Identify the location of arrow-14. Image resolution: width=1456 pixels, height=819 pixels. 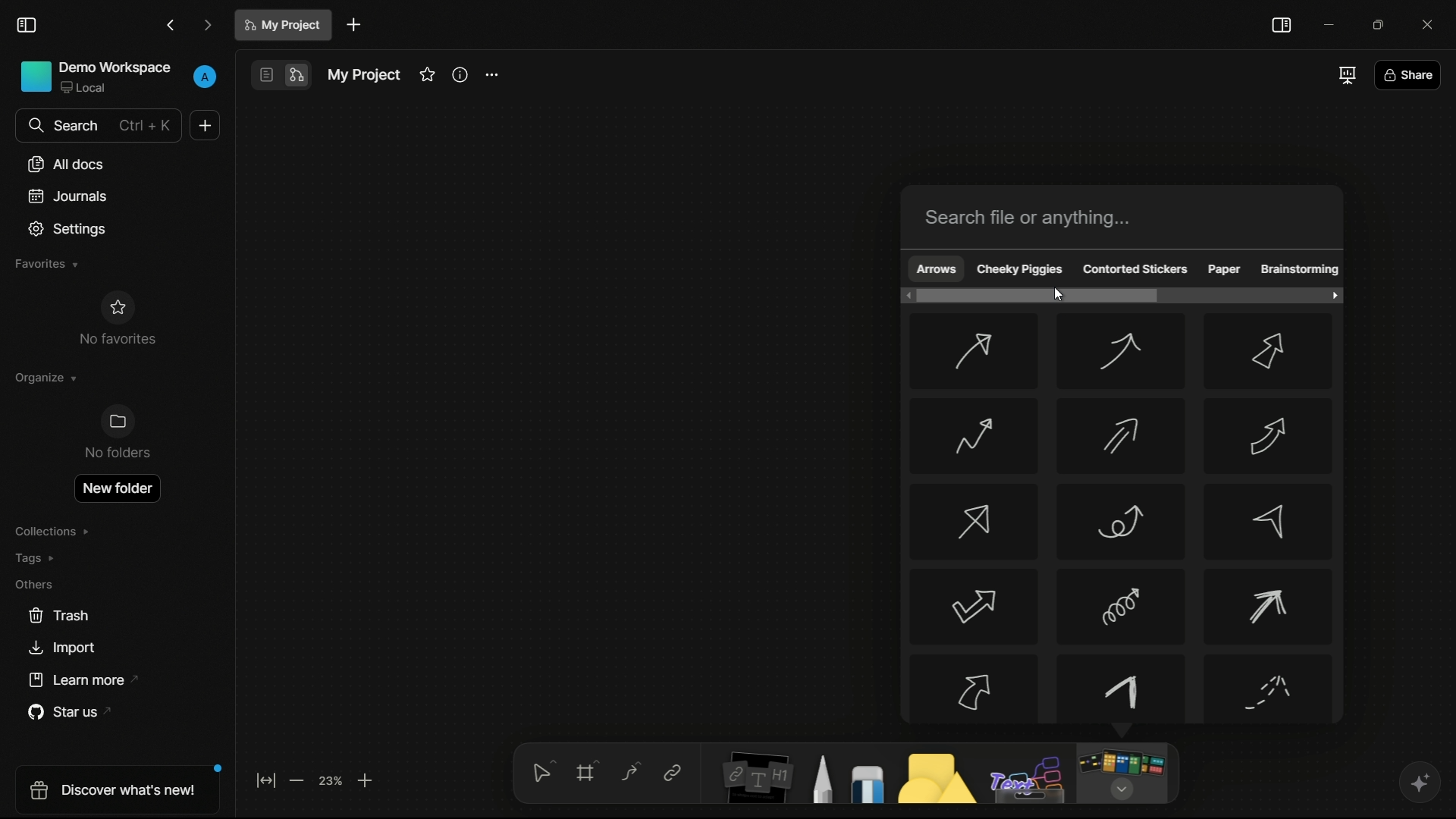
(1122, 689).